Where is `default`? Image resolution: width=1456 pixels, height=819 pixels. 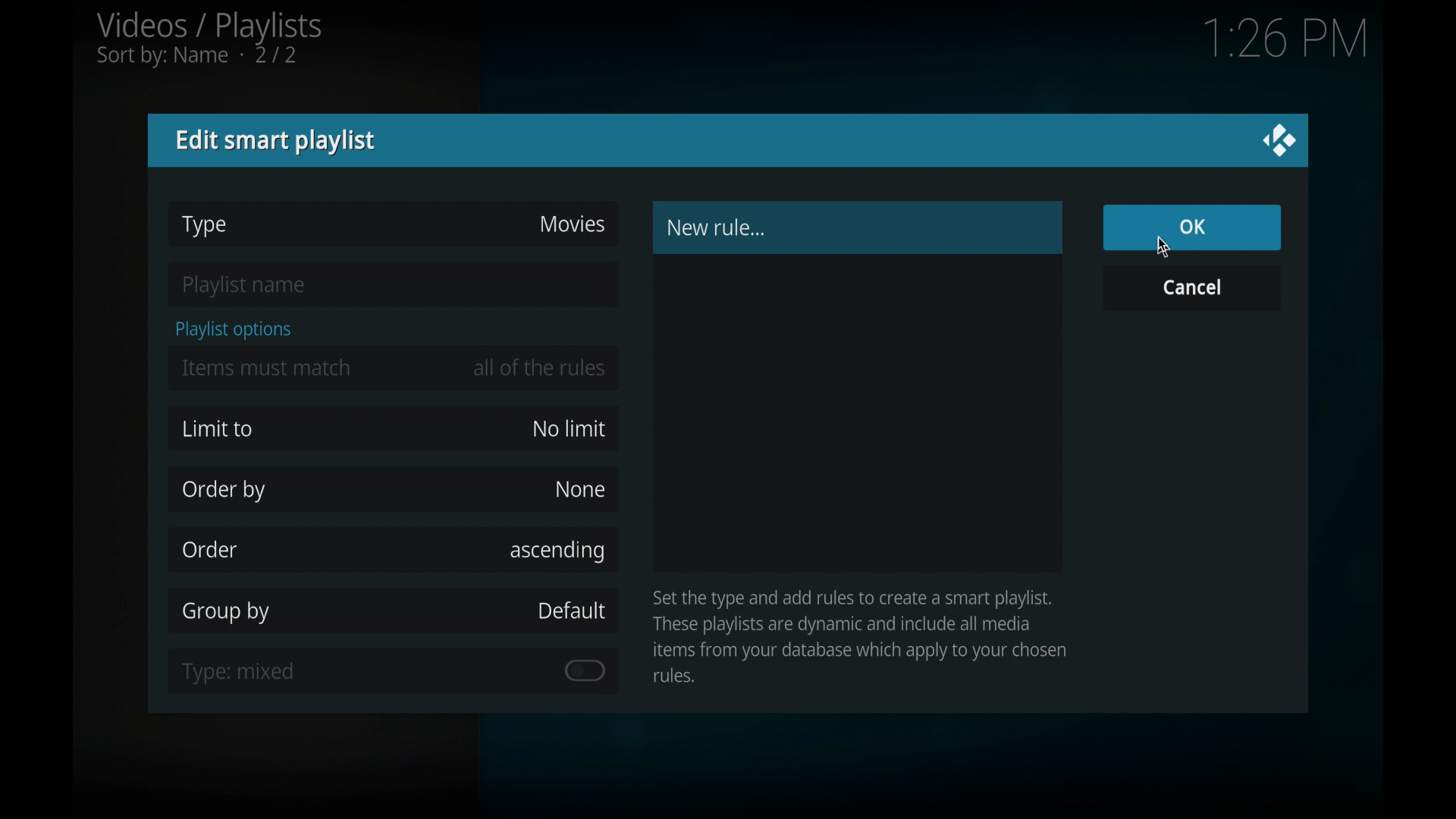
default is located at coordinates (572, 611).